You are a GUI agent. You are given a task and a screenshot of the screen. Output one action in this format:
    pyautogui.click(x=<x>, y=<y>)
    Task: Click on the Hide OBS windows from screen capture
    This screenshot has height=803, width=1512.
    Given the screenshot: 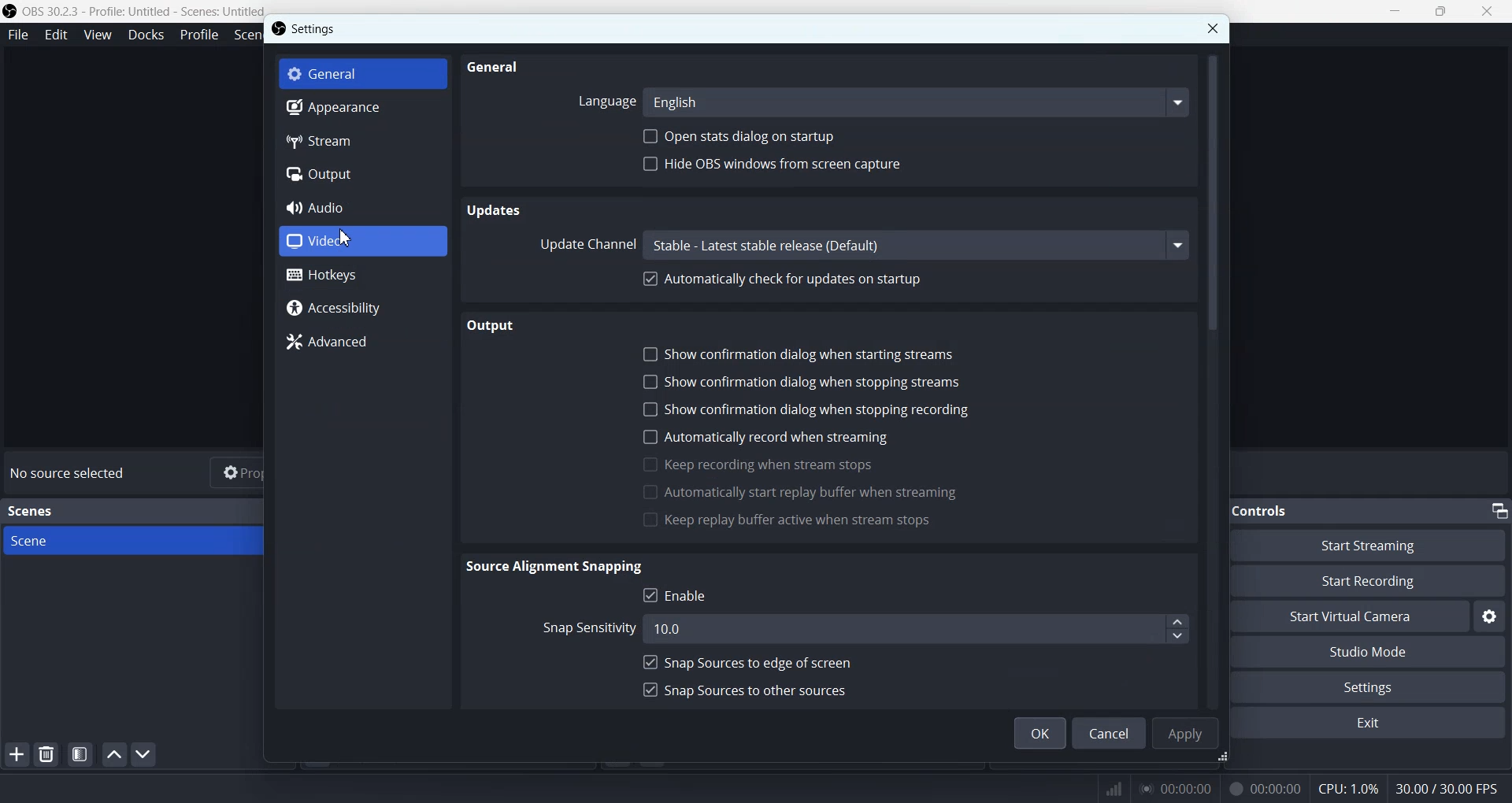 What is the action you would take?
    pyautogui.click(x=806, y=163)
    